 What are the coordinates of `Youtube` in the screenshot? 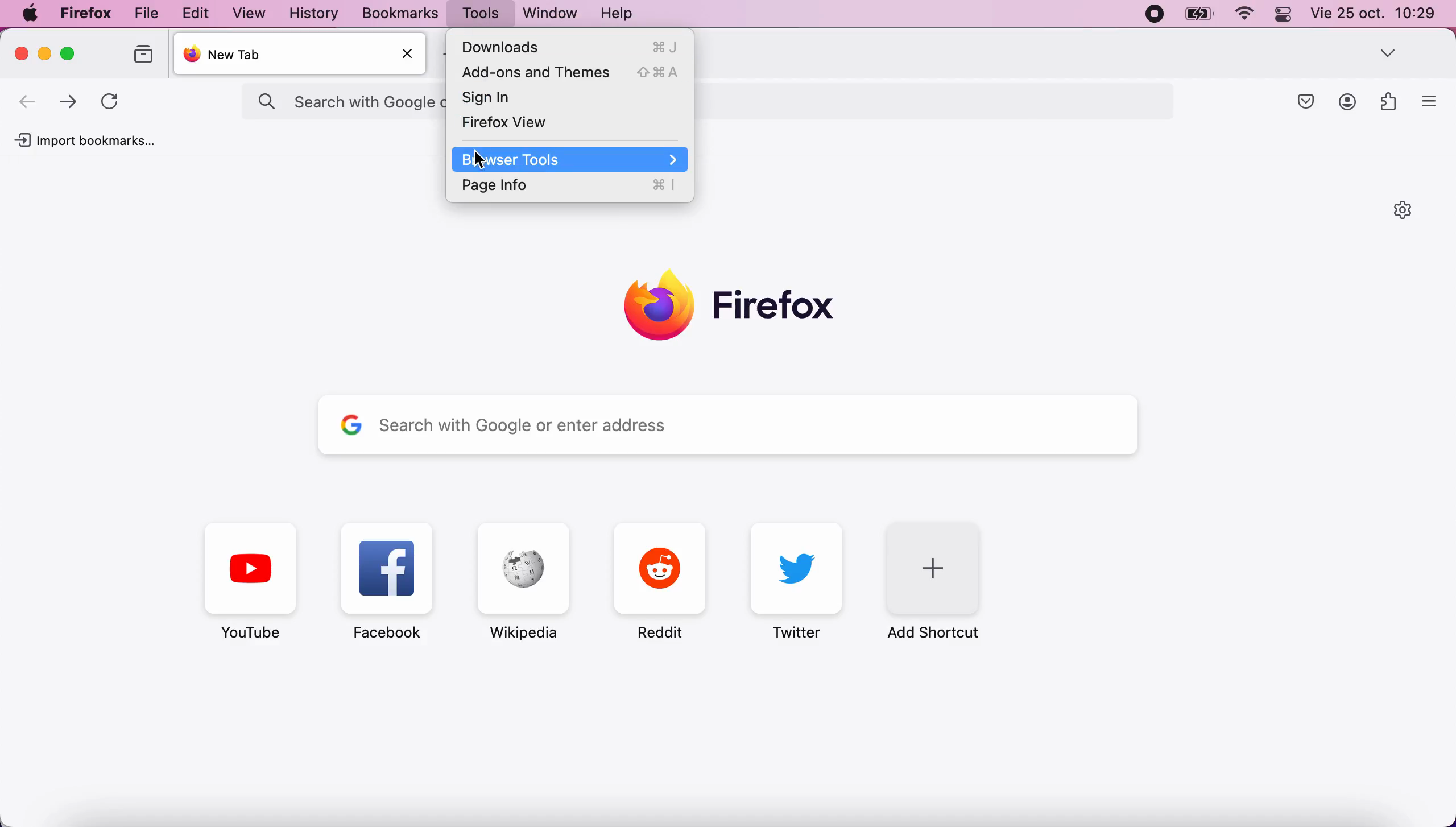 It's located at (250, 581).